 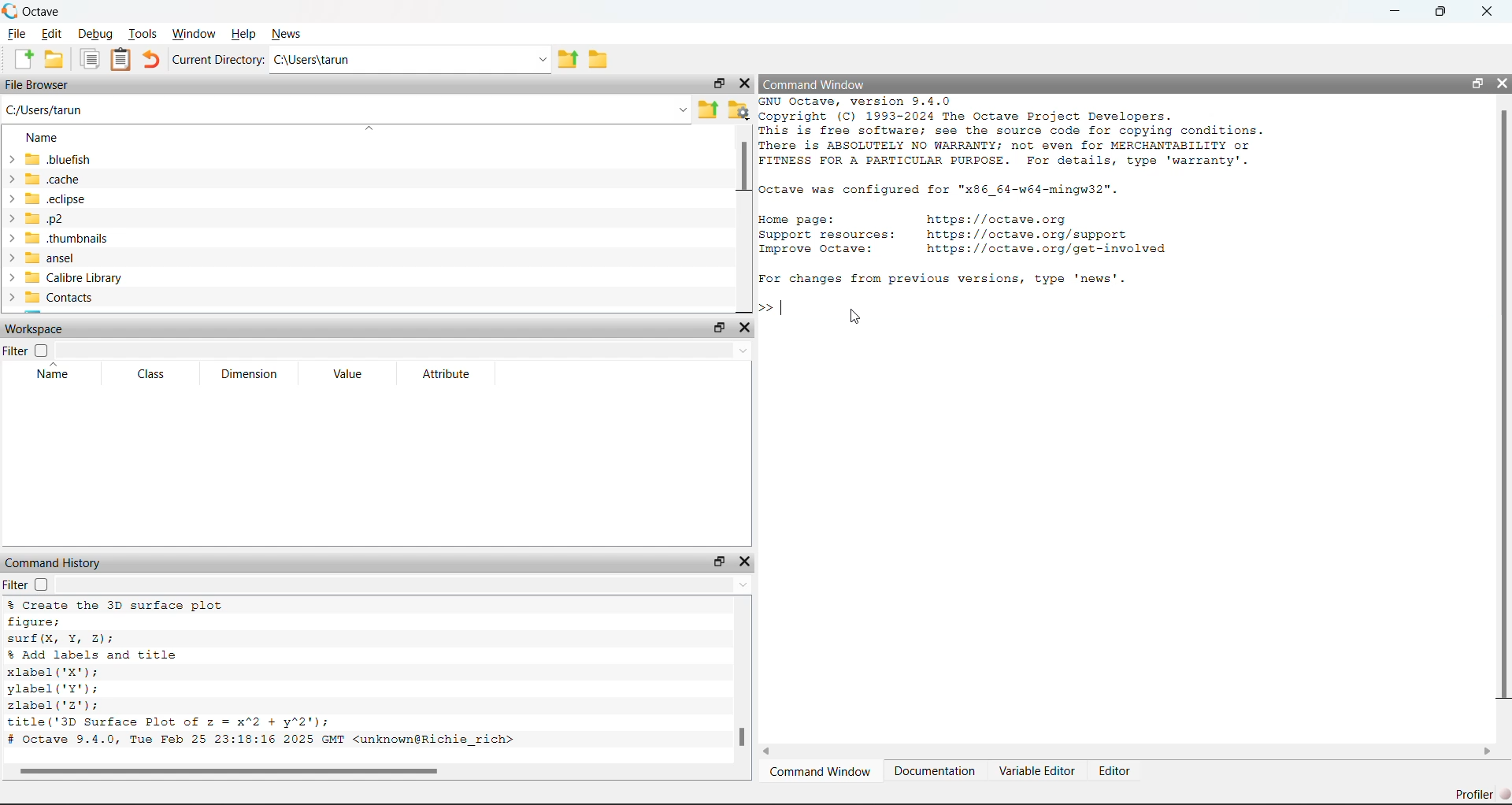 What do you see at coordinates (346, 374) in the screenshot?
I see `Value` at bounding box center [346, 374].